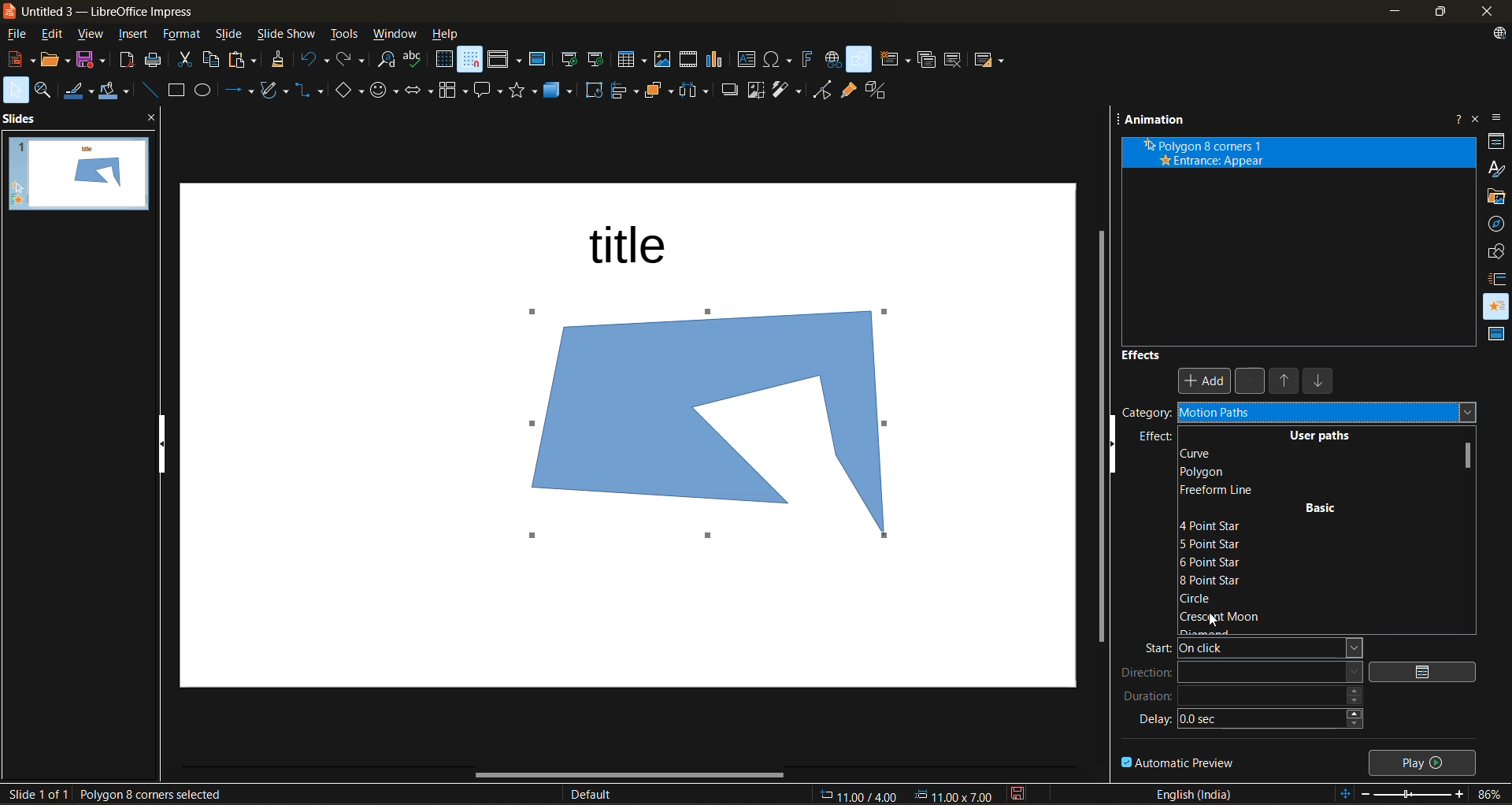 The width and height of the screenshot is (1512, 805). What do you see at coordinates (860, 60) in the screenshot?
I see `show draw functions` at bounding box center [860, 60].